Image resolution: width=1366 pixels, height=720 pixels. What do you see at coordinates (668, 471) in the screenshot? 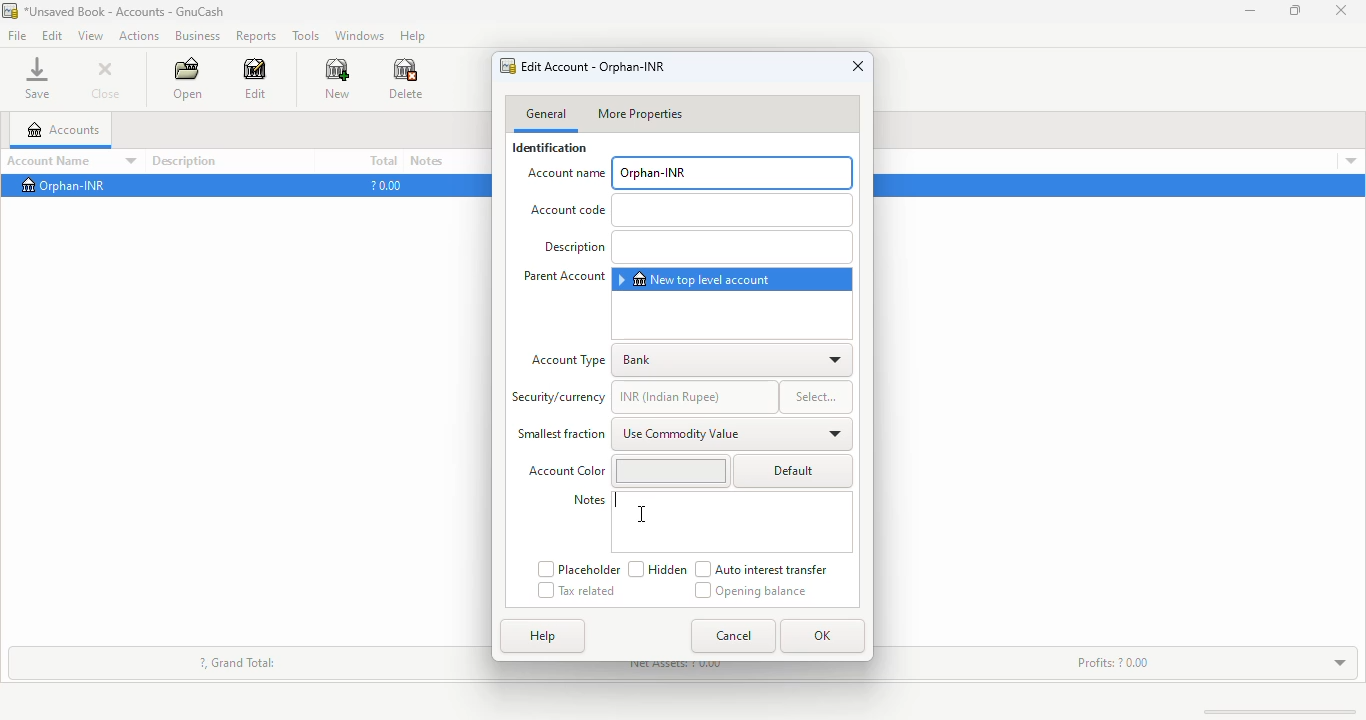
I see `change account color` at bounding box center [668, 471].